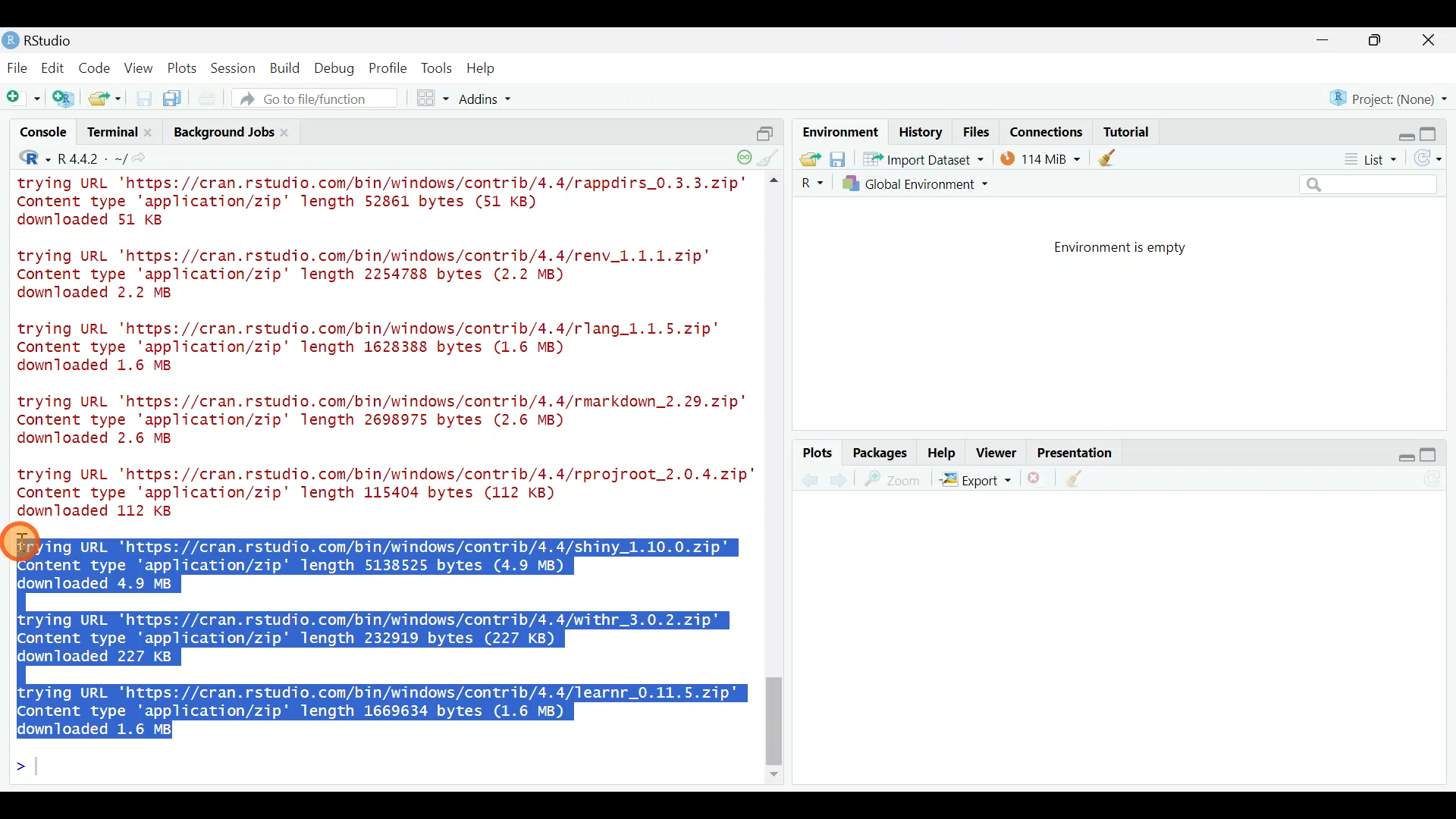 Image resolution: width=1456 pixels, height=819 pixels. I want to click on maximize, so click(1435, 454).